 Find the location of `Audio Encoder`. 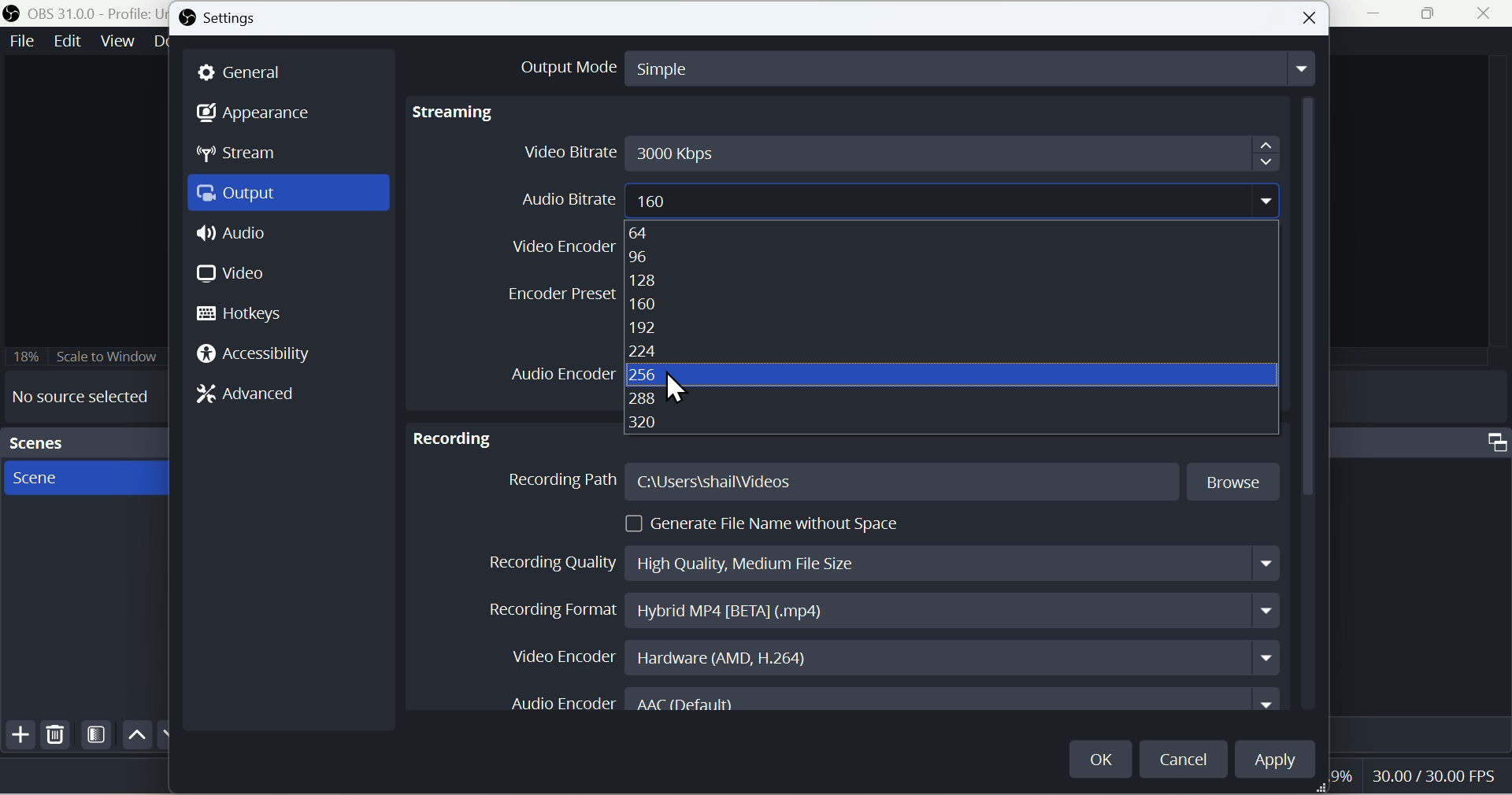

Audio Encoder is located at coordinates (900, 703).